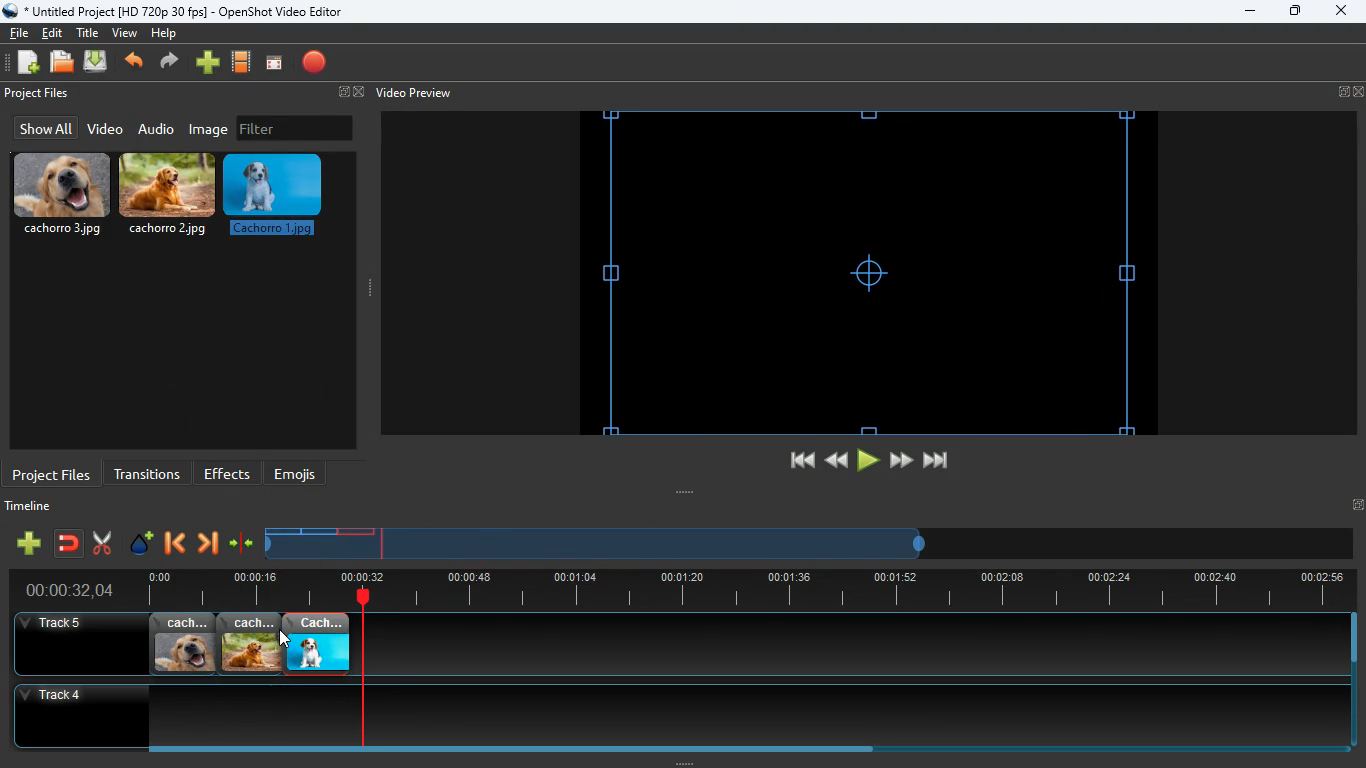  What do you see at coordinates (98, 63) in the screenshot?
I see `upload` at bounding box center [98, 63].